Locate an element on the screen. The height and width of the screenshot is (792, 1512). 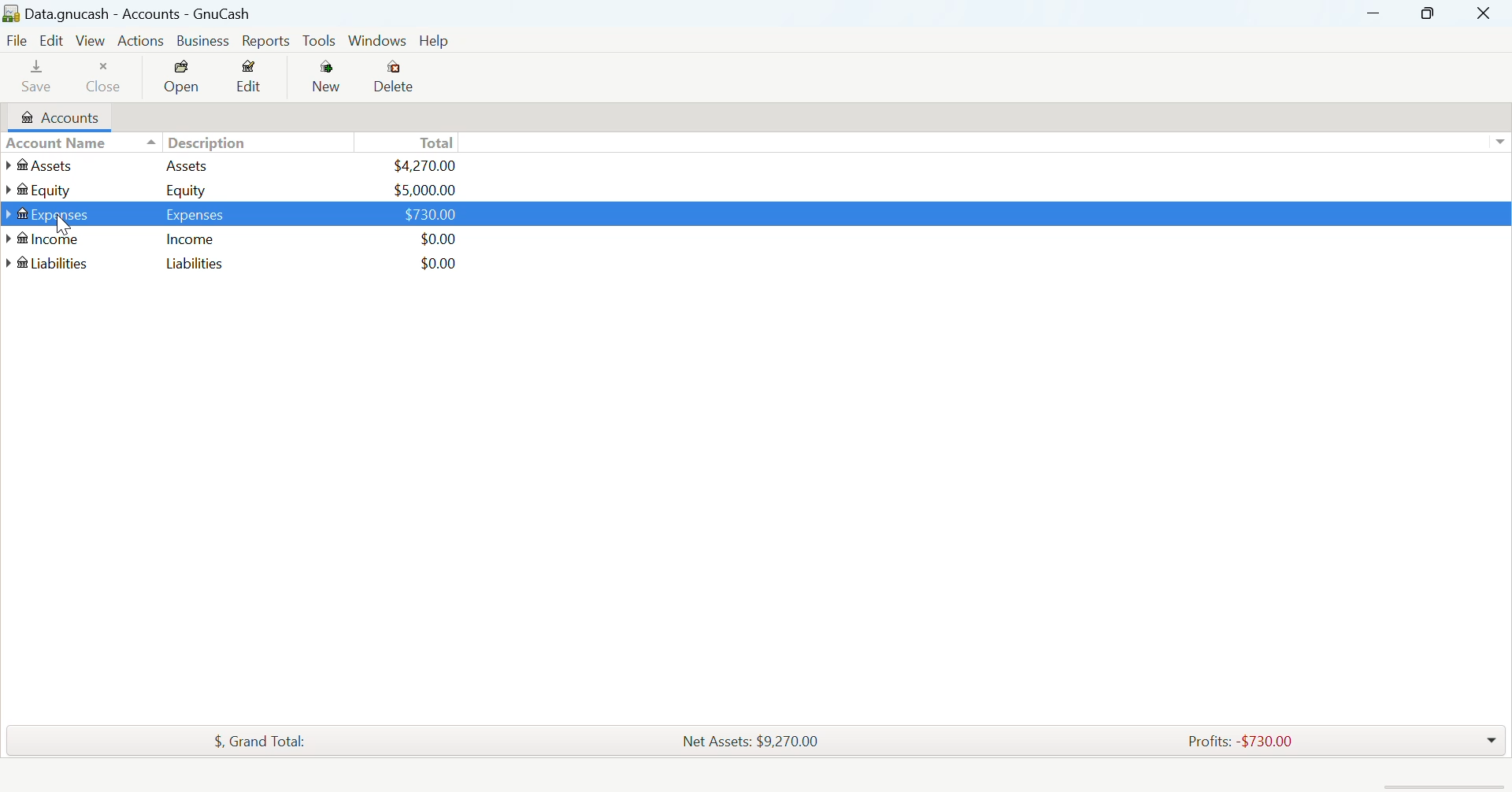
Accounts Column Headings is located at coordinates (236, 145).